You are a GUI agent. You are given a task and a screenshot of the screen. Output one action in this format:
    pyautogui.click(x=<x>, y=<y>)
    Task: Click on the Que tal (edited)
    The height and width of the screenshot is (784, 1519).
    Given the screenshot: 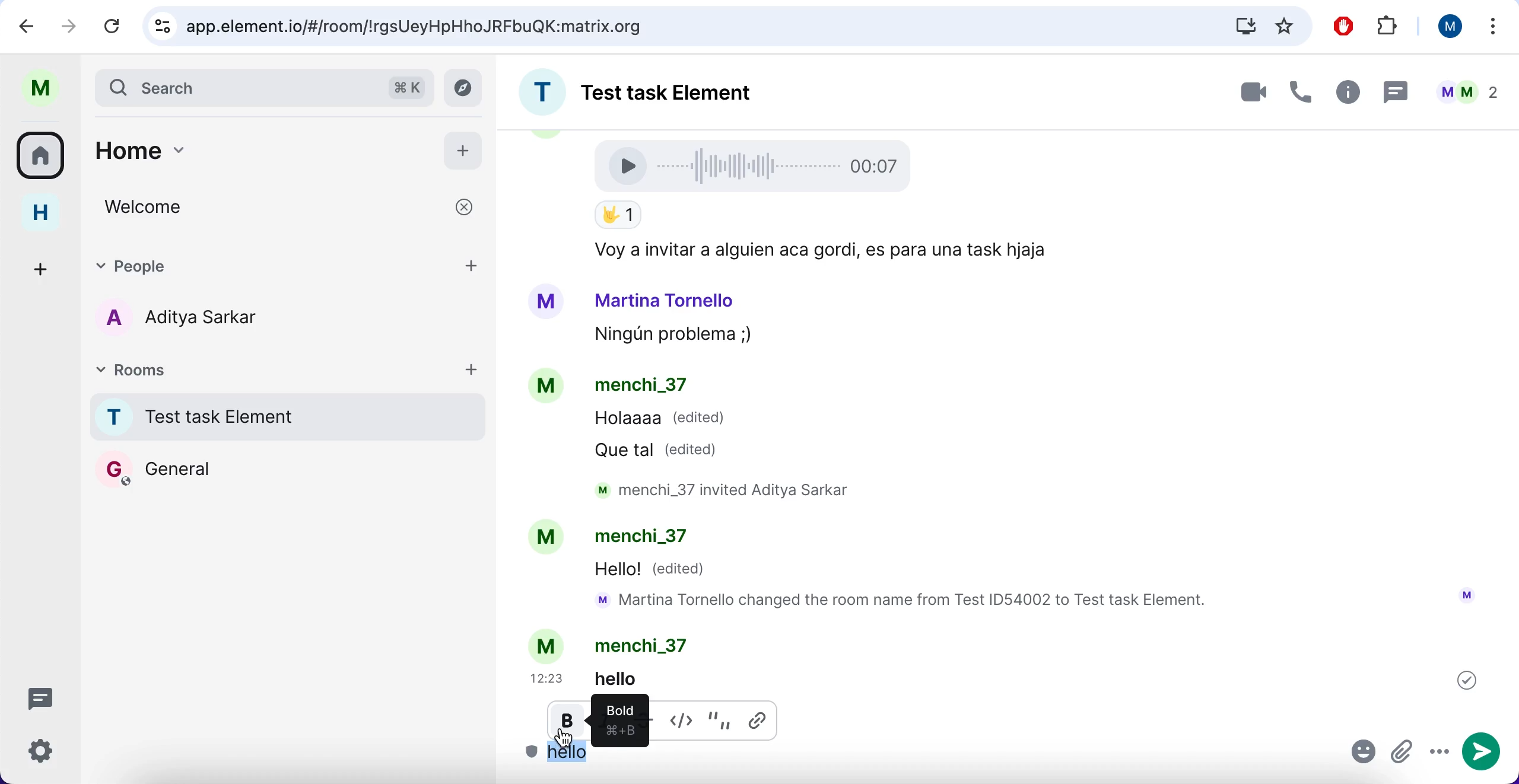 What is the action you would take?
    pyautogui.click(x=662, y=450)
    